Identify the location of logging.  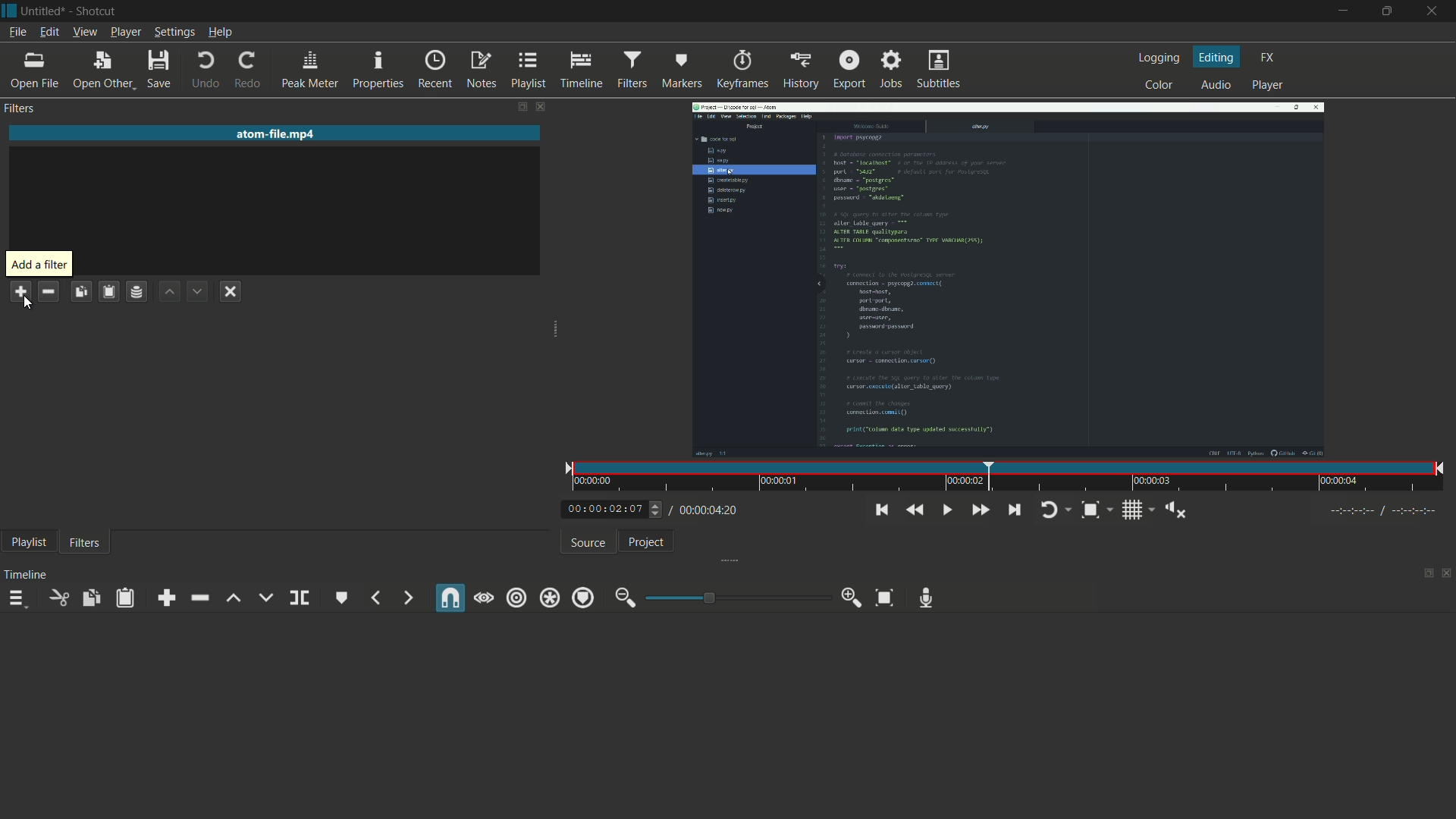
(1161, 57).